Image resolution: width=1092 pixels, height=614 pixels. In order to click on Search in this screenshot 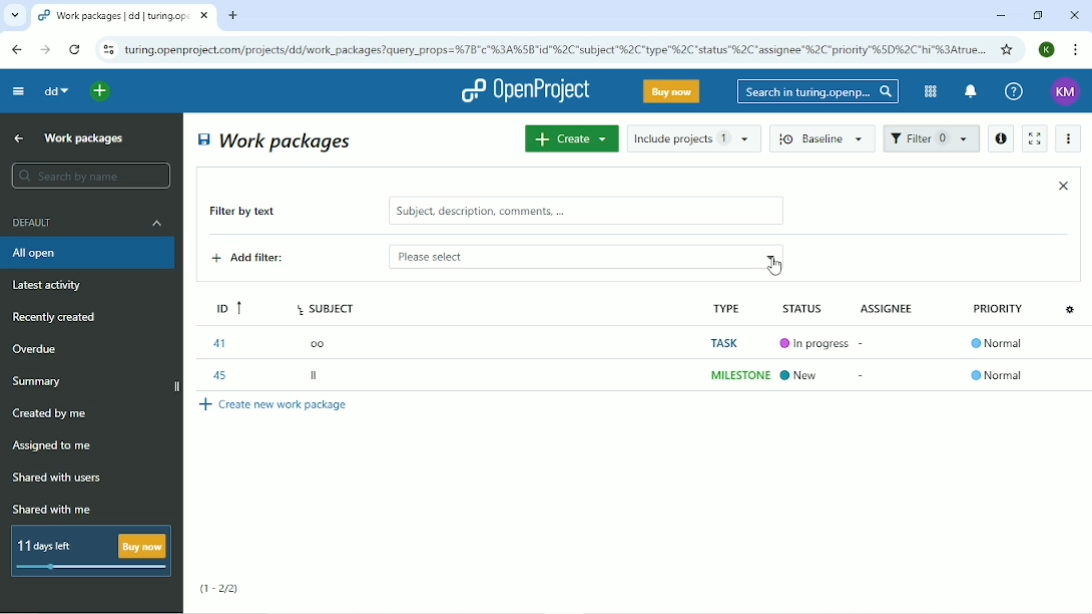, I will do `click(818, 91)`.